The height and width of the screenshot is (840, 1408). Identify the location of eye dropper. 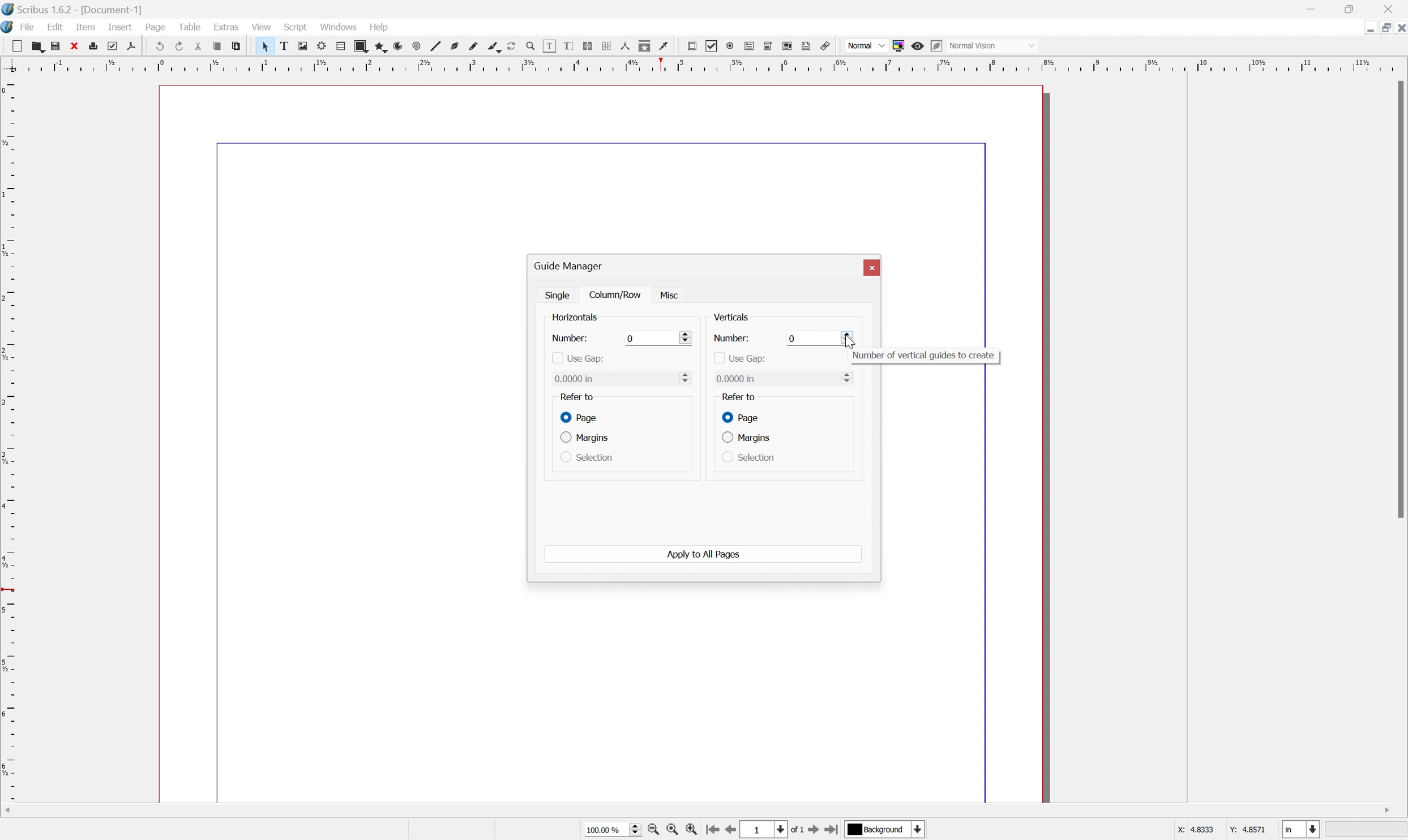
(665, 47).